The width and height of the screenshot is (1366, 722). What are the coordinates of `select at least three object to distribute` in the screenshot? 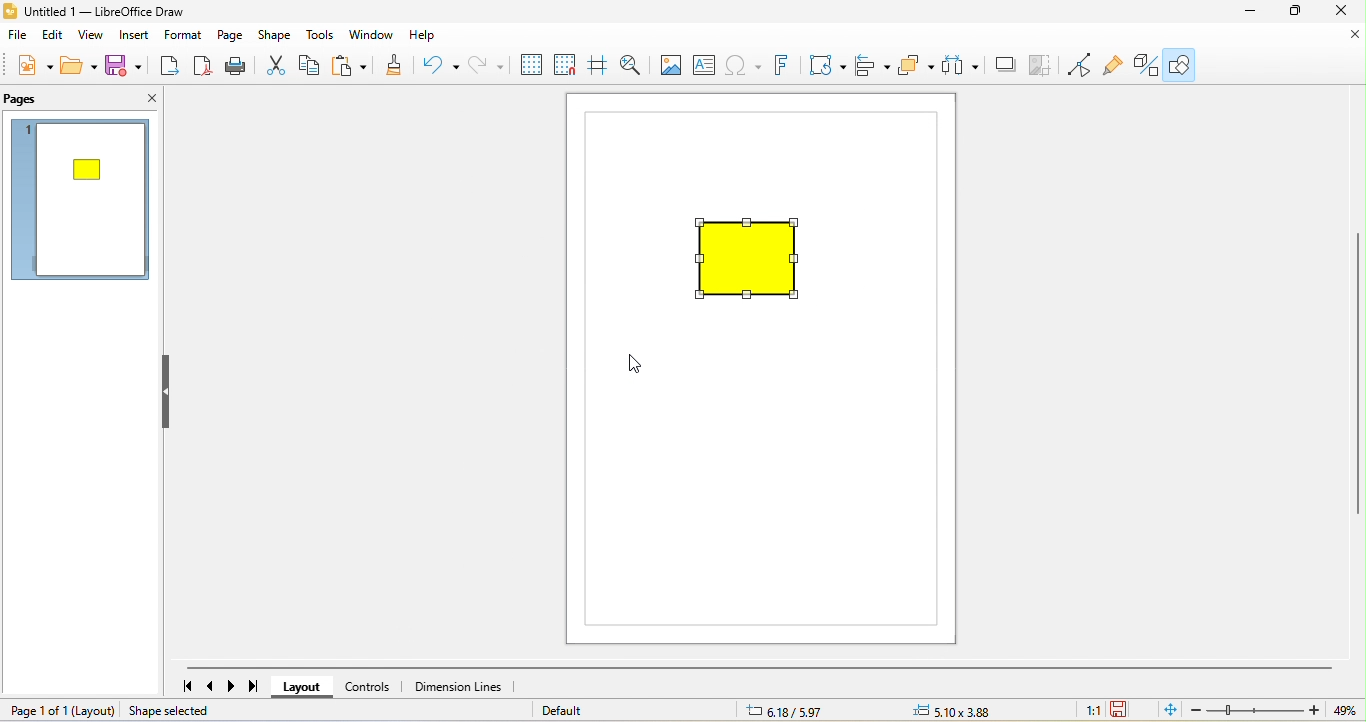 It's located at (963, 64).